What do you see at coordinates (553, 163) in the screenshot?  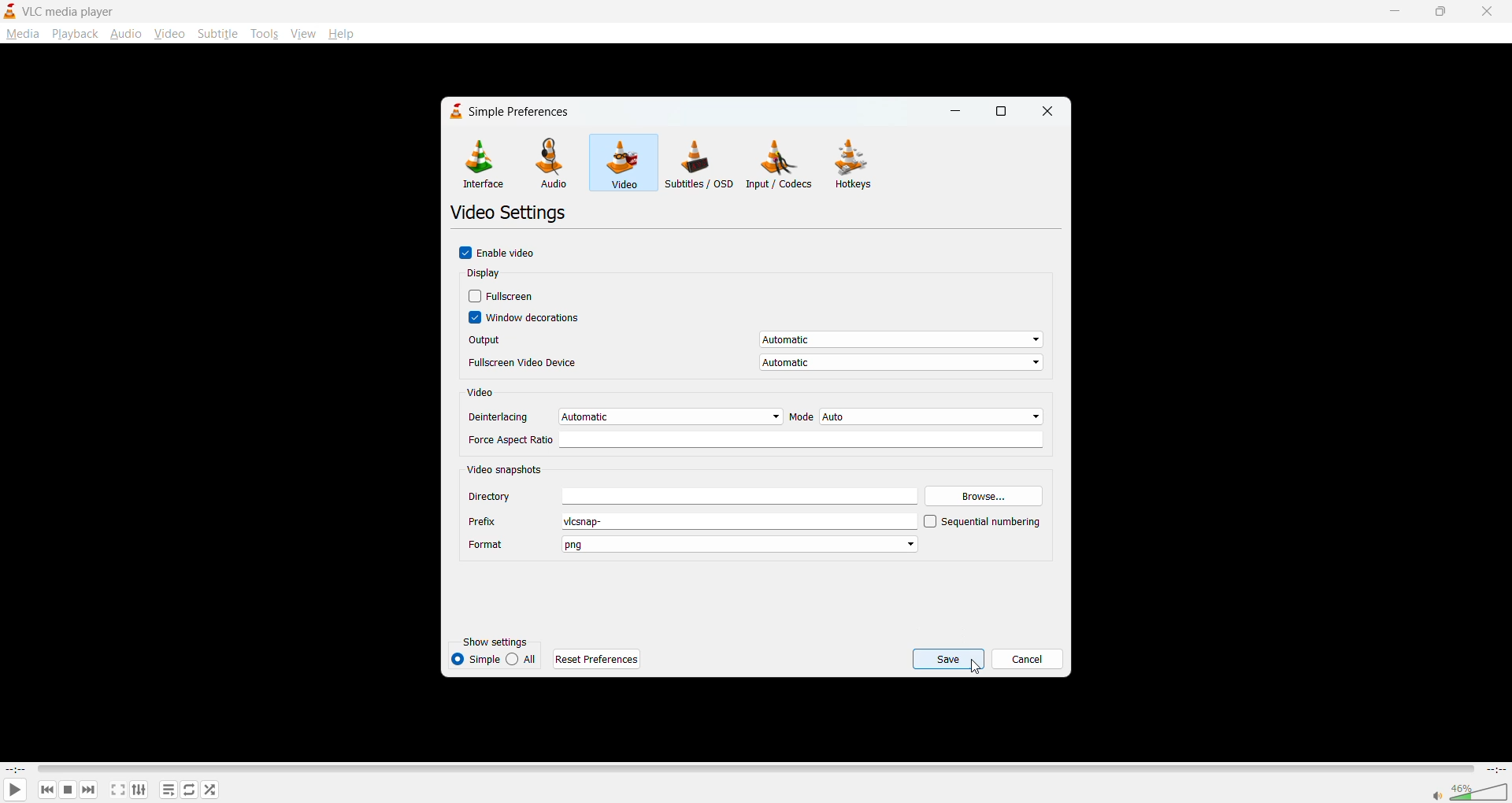 I see `audio` at bounding box center [553, 163].